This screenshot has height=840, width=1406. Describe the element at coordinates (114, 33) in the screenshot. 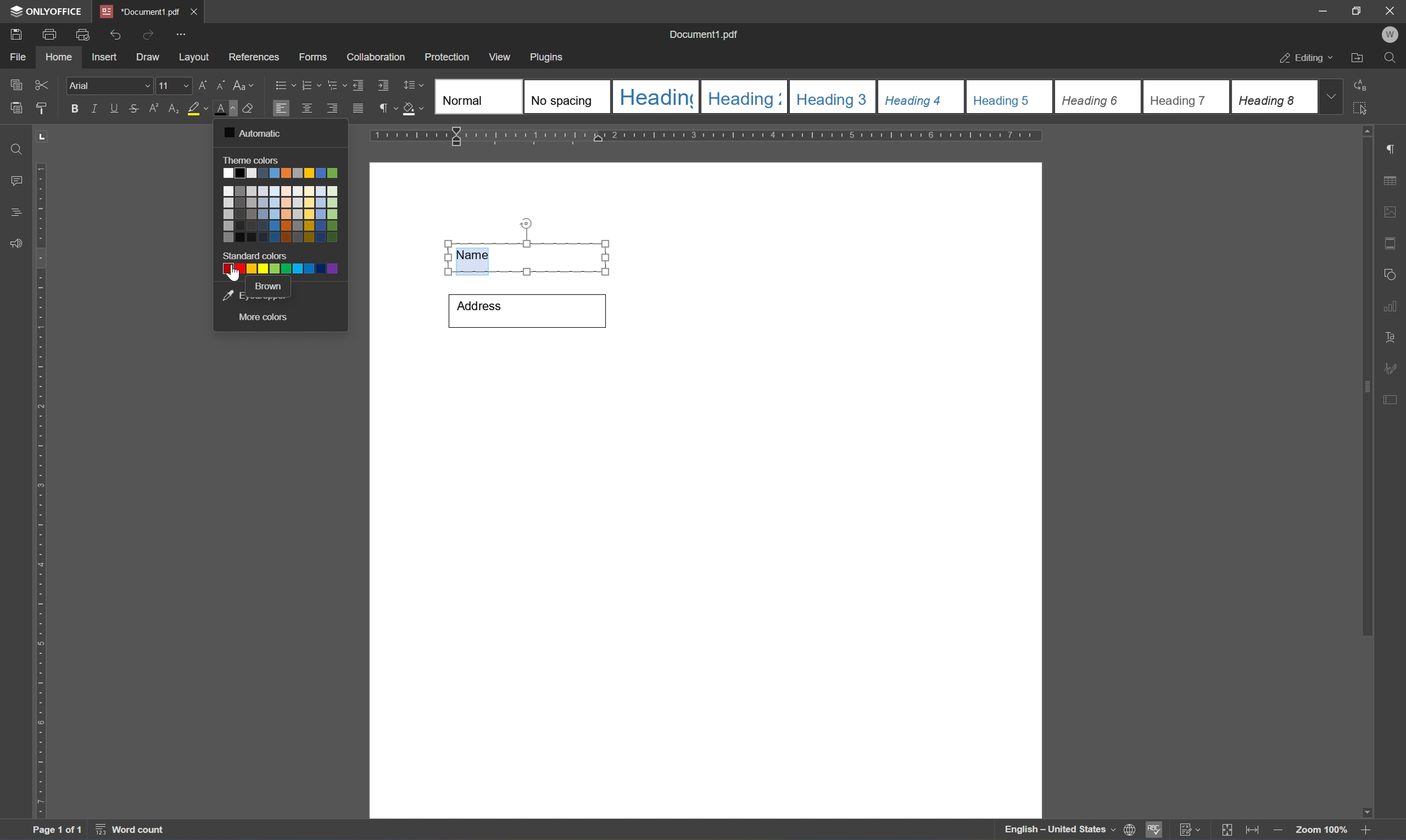

I see `undo` at that location.